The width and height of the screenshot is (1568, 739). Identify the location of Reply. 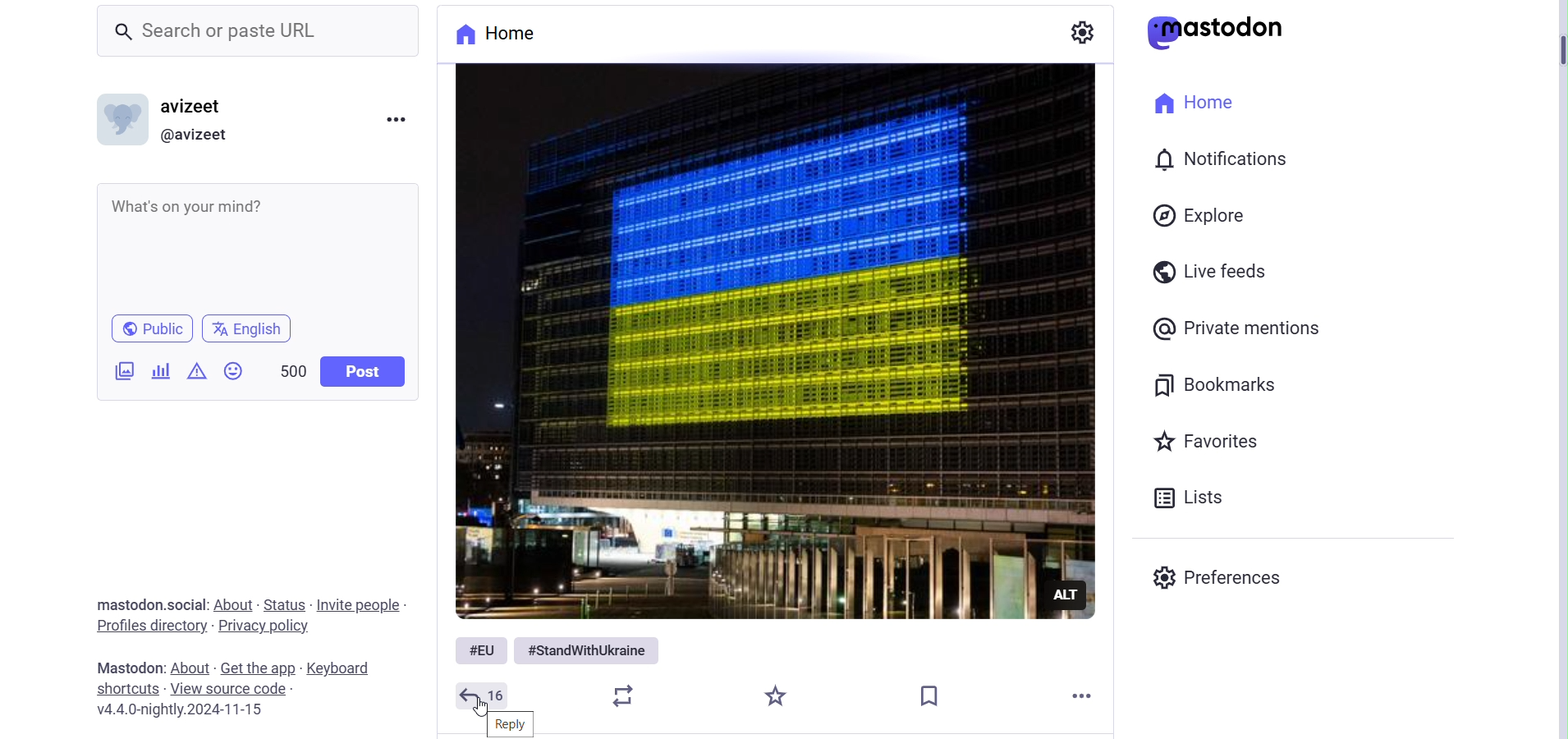
(484, 695).